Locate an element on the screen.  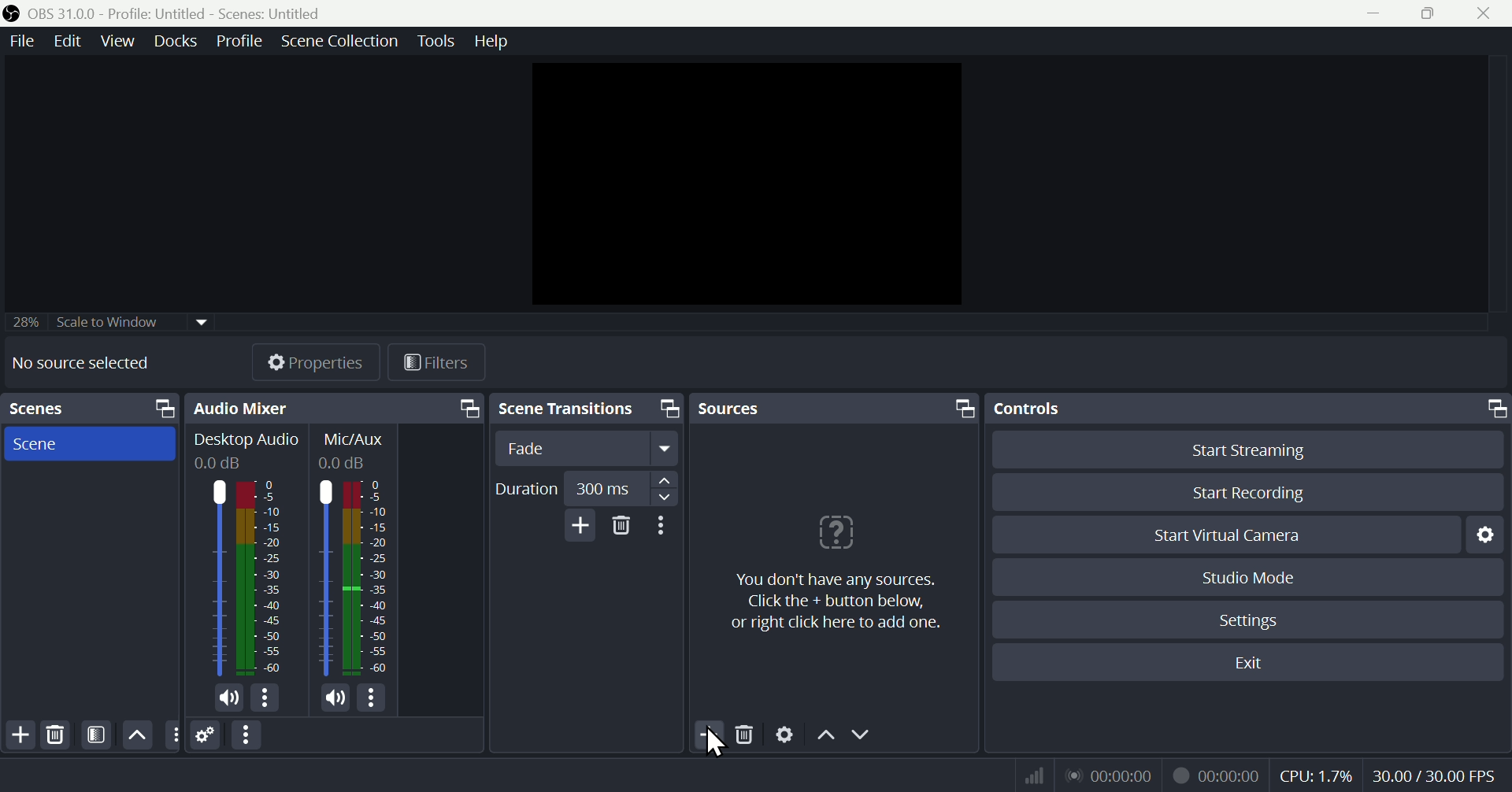
Desktop Audio is located at coordinates (215, 579).